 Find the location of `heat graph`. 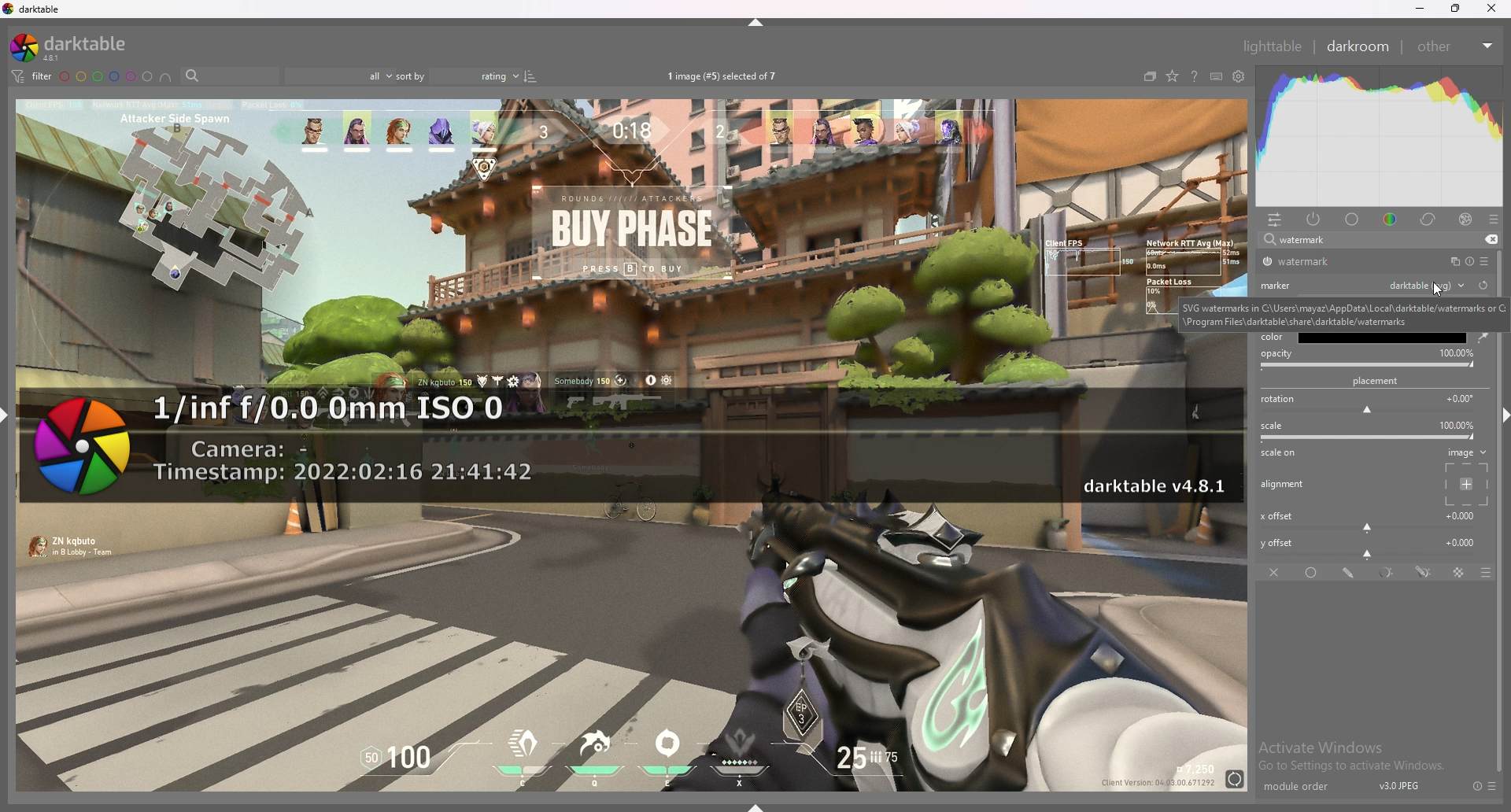

heat graph is located at coordinates (1380, 136).